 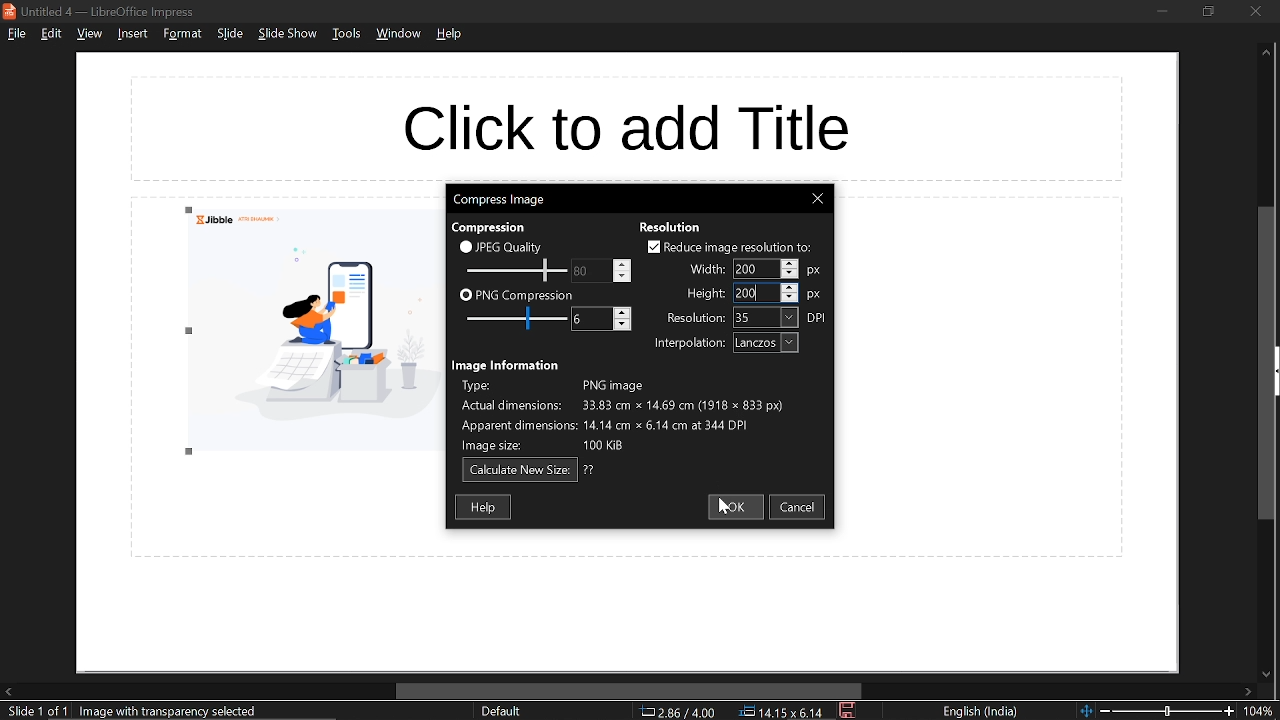 I want to click on resolution, so click(x=671, y=227).